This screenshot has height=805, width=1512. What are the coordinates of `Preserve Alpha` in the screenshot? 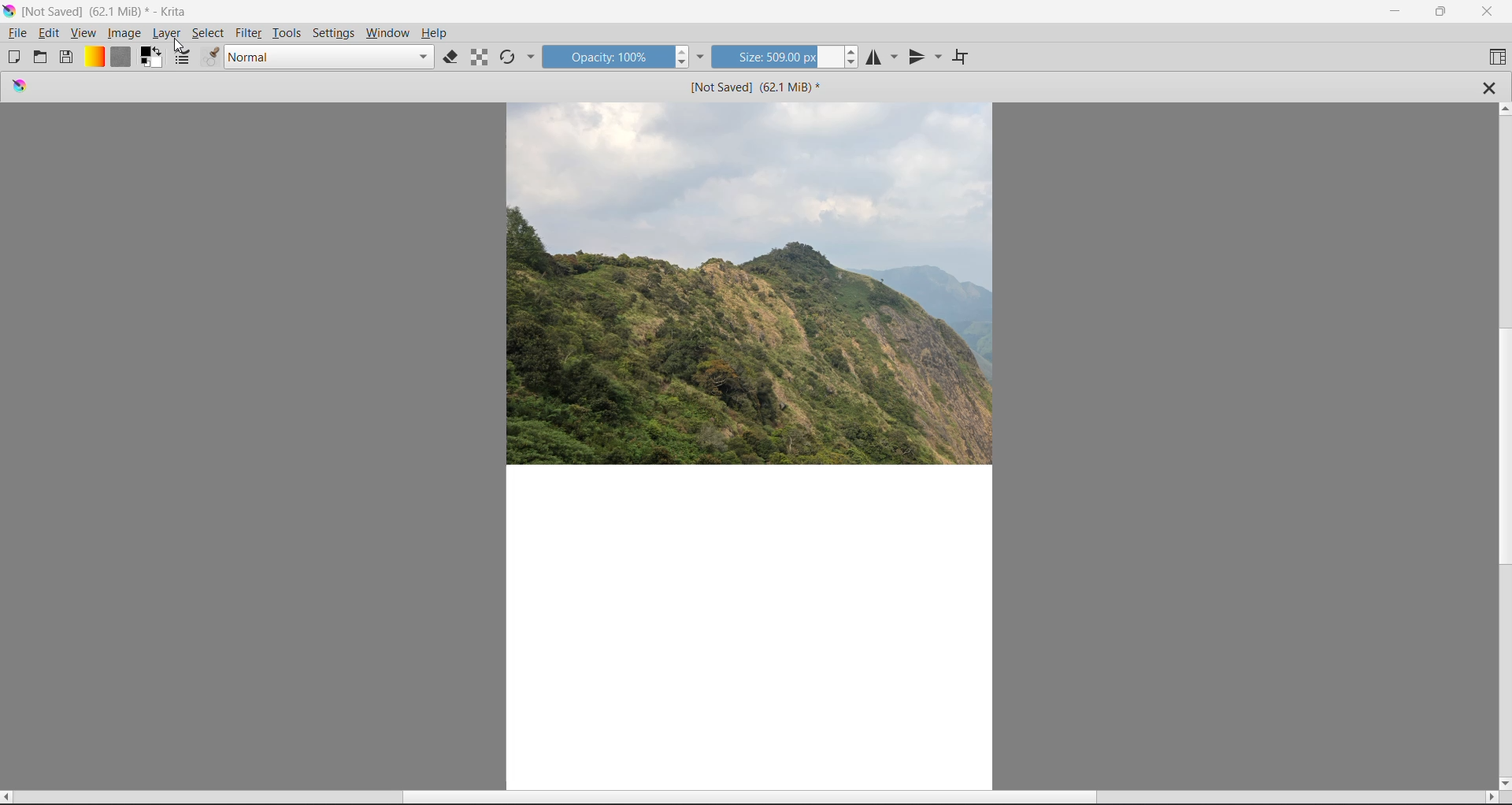 It's located at (480, 57).